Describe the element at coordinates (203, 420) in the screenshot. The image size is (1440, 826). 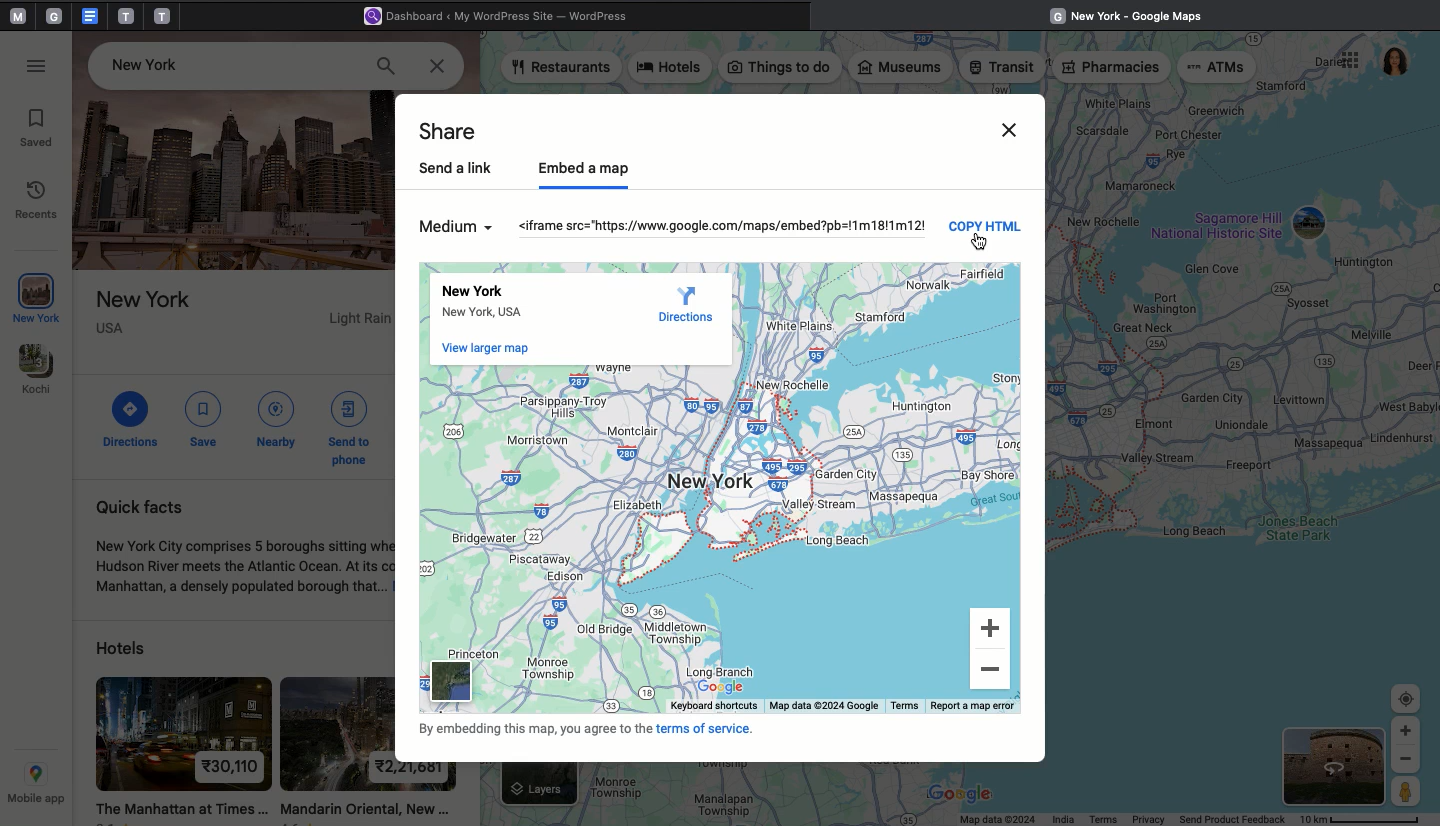
I see `Save` at that location.